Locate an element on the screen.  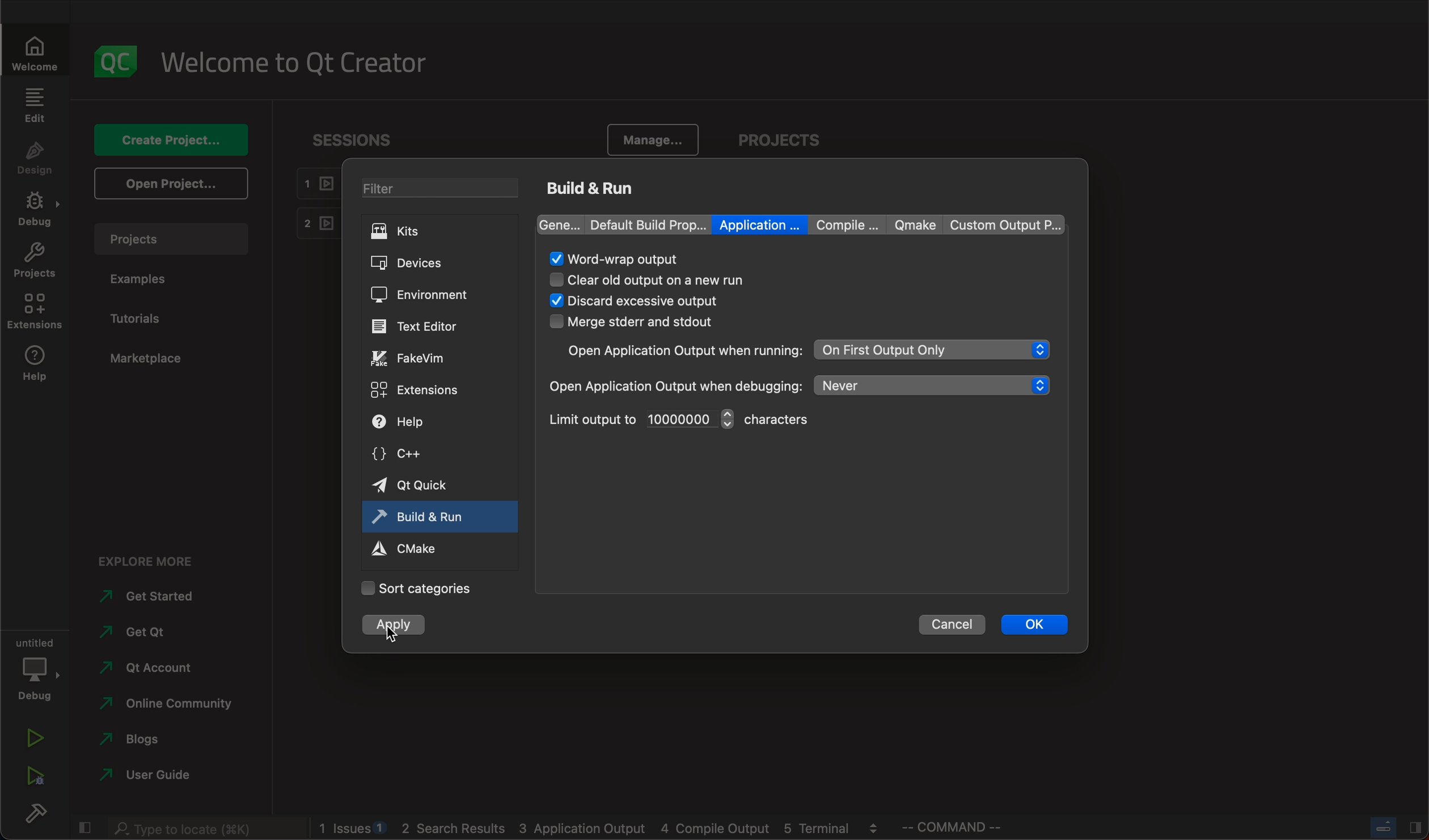
build and run is located at coordinates (422, 515).